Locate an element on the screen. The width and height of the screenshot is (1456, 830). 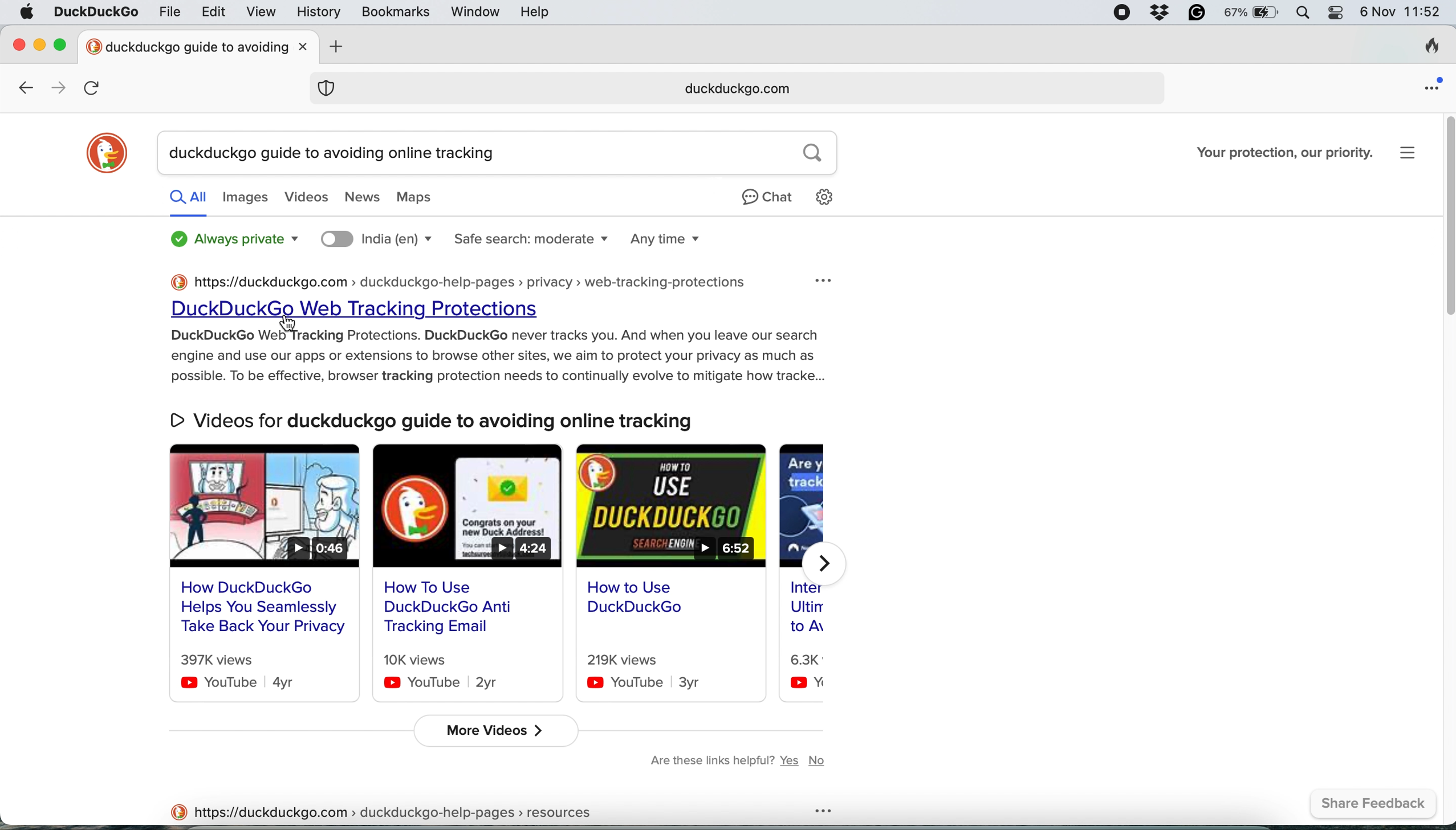
videos is located at coordinates (308, 198).